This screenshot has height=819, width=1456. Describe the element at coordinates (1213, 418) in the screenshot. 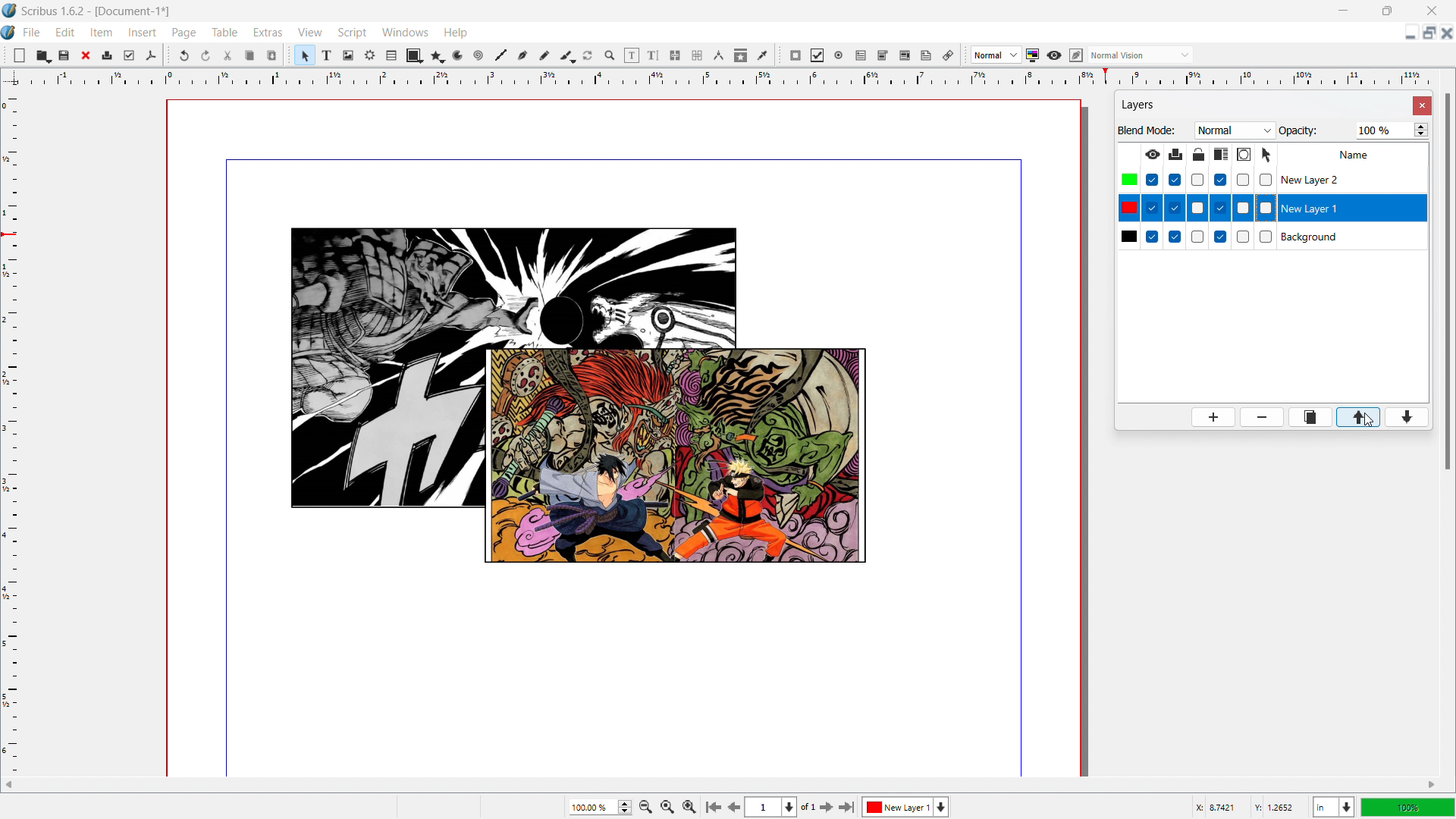

I see `add layer` at that location.